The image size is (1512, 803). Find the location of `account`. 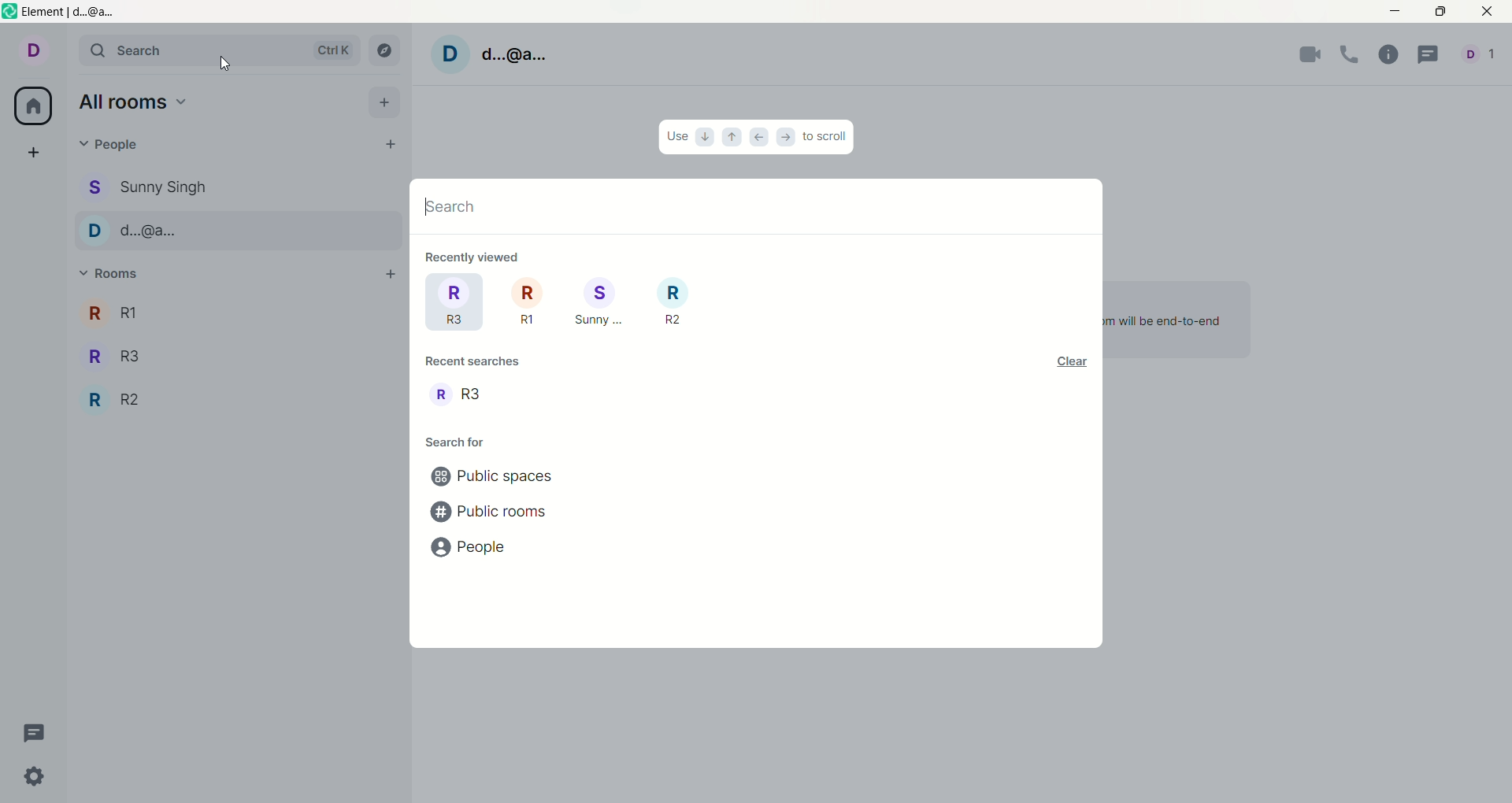

account is located at coordinates (495, 54).